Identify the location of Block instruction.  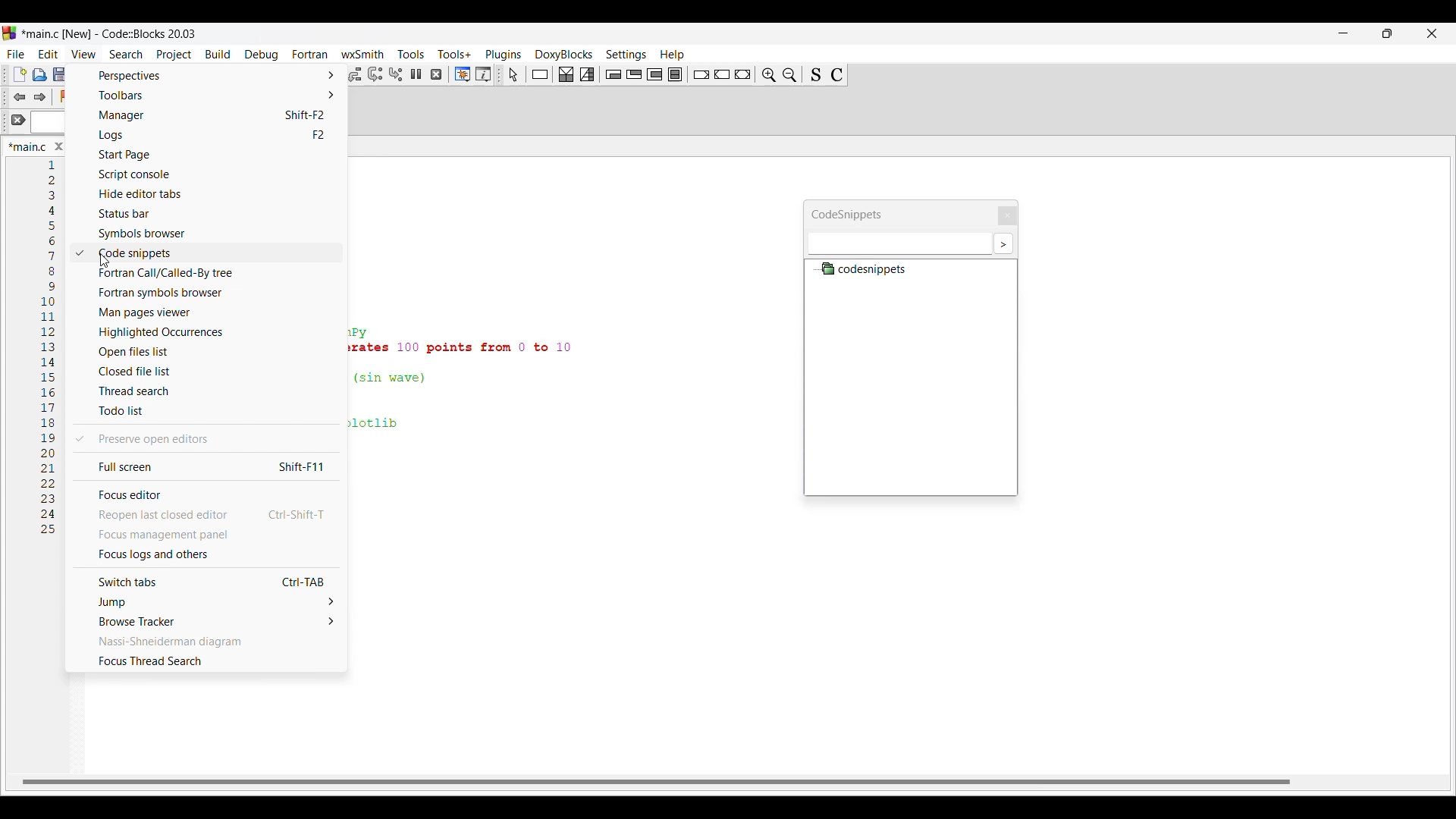
(675, 74).